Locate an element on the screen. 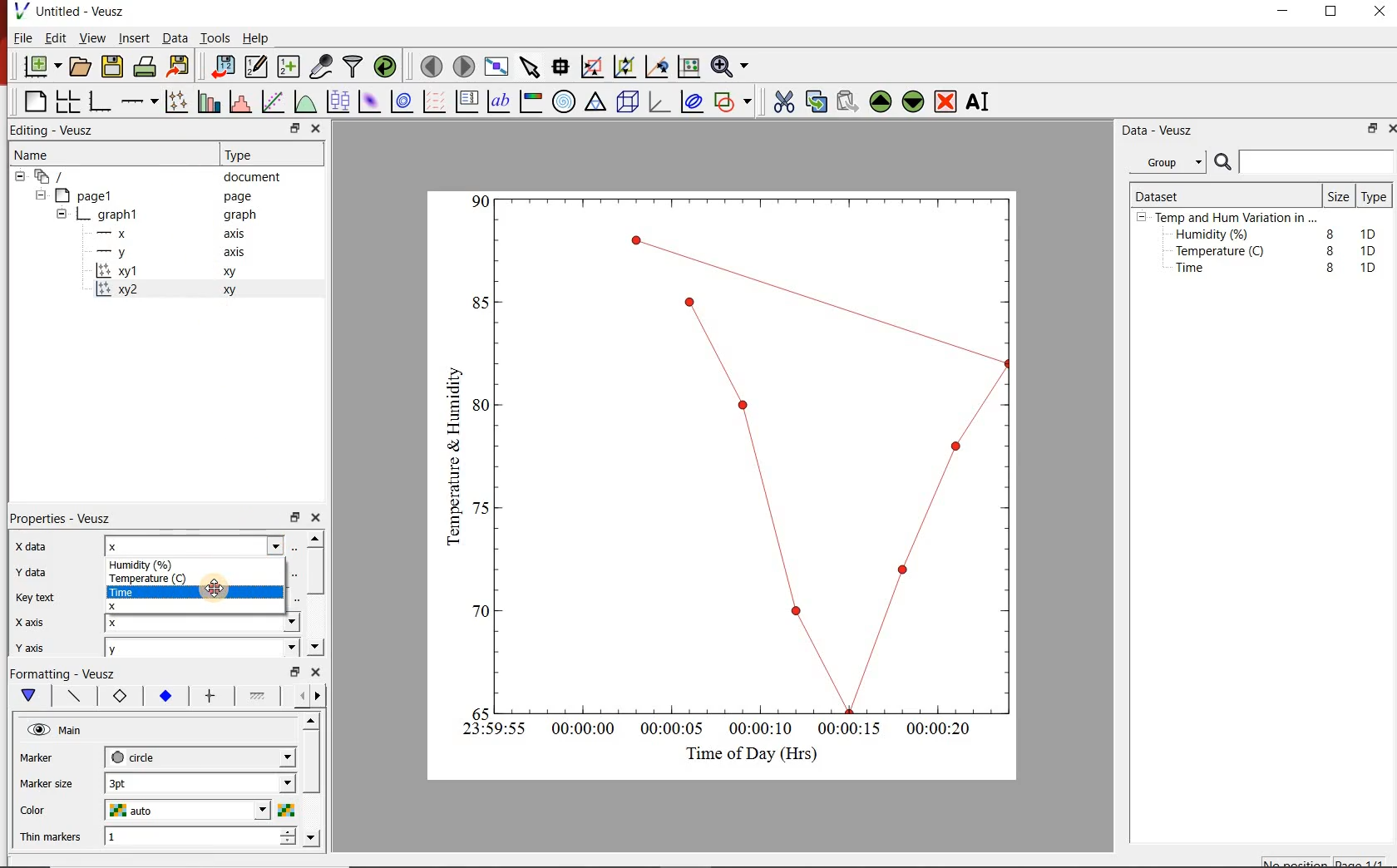 Image resolution: width=1397 pixels, height=868 pixels. close is located at coordinates (1380, 12).